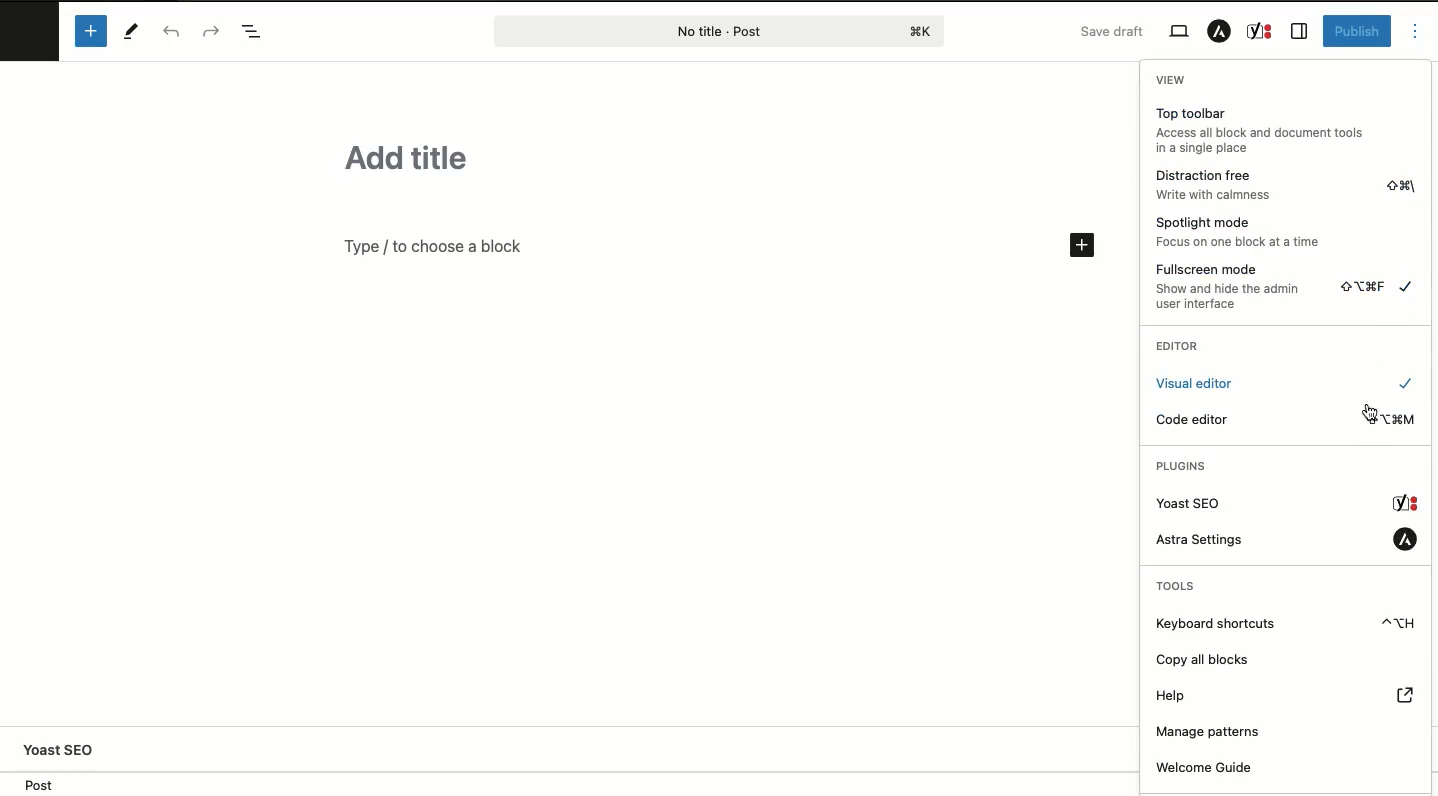 This screenshot has height=796, width=1438. Describe the element at coordinates (1087, 242) in the screenshot. I see `Add block` at that location.